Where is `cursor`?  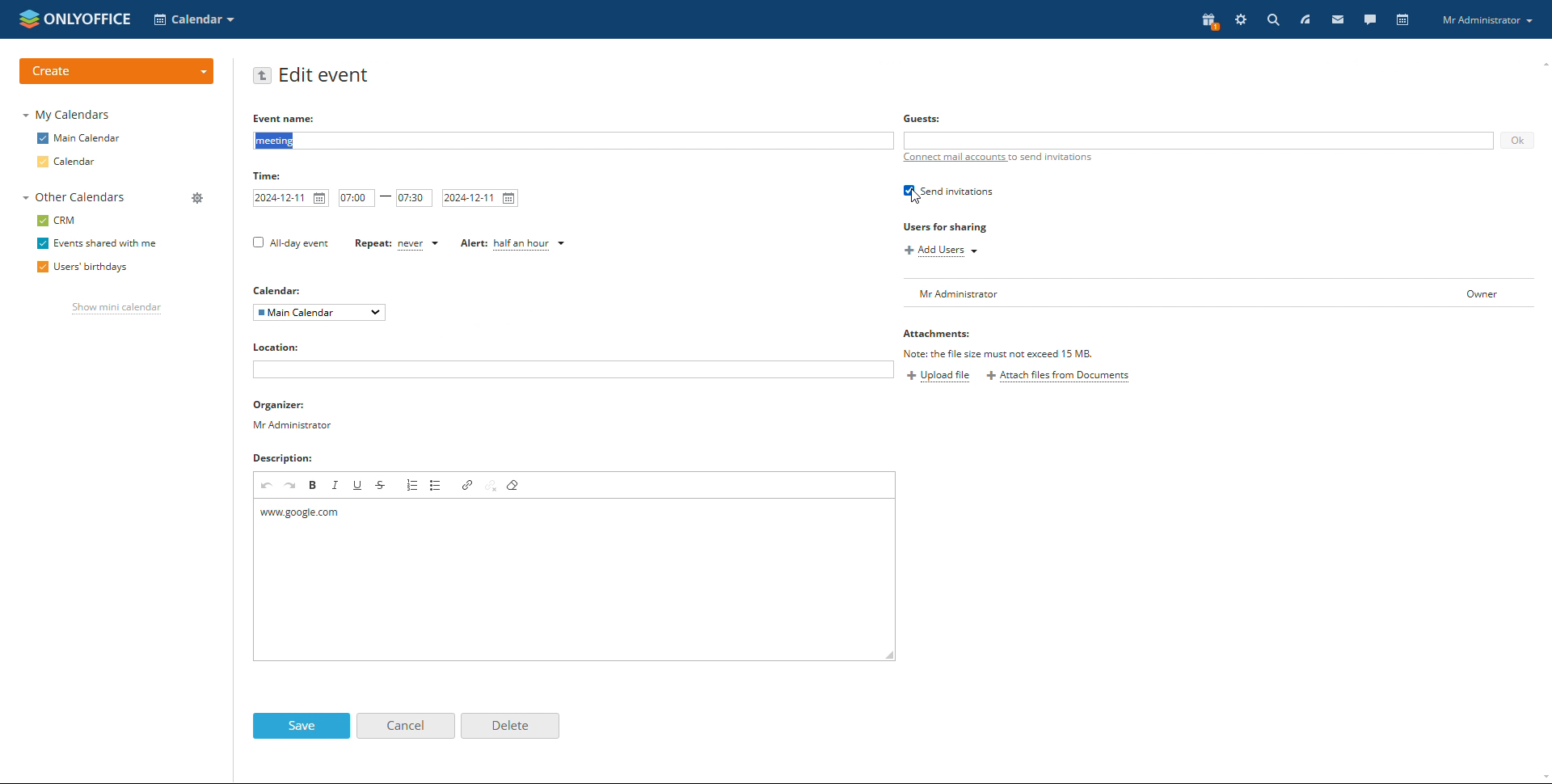 cursor is located at coordinates (917, 198).